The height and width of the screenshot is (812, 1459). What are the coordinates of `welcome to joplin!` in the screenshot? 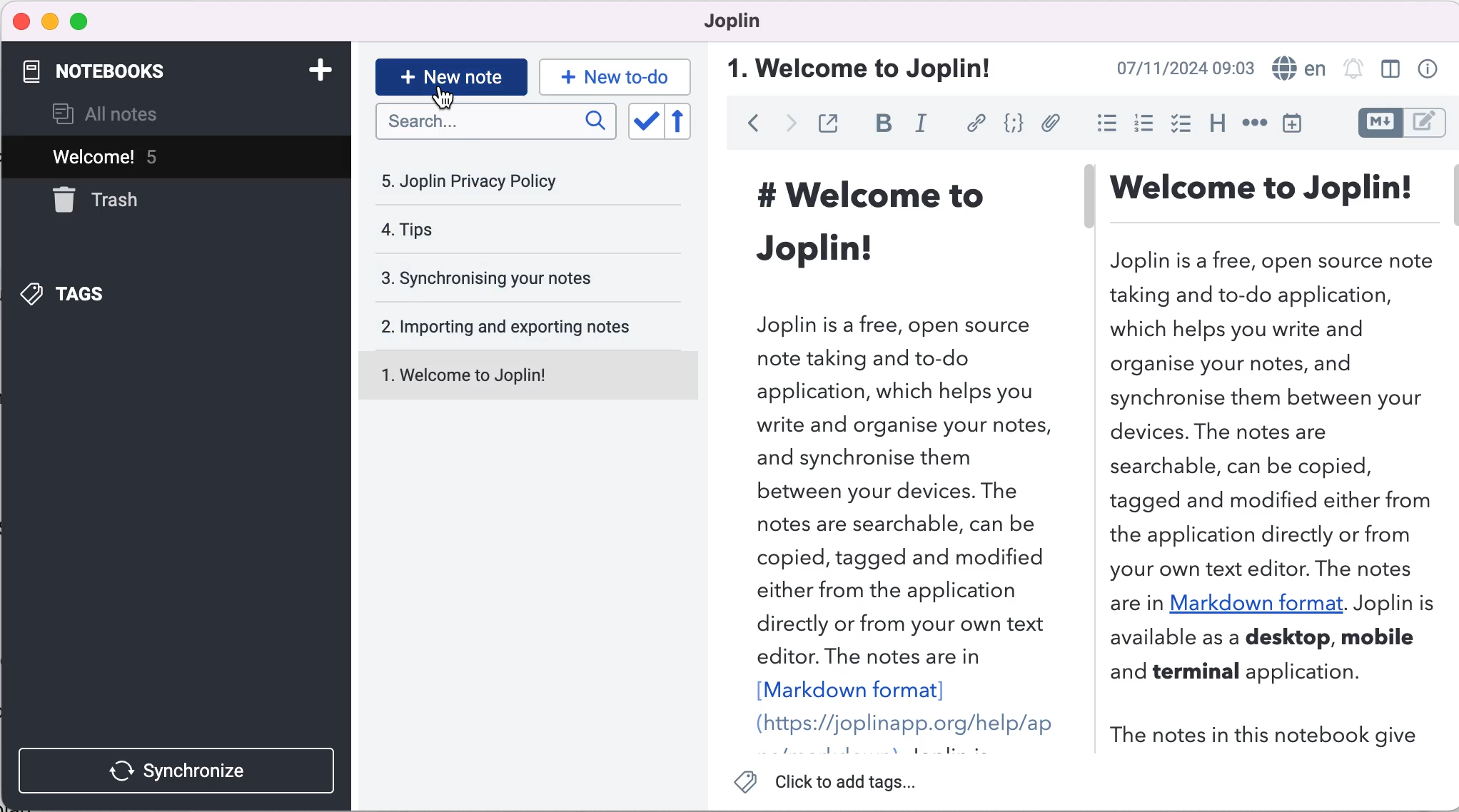 It's located at (873, 69).